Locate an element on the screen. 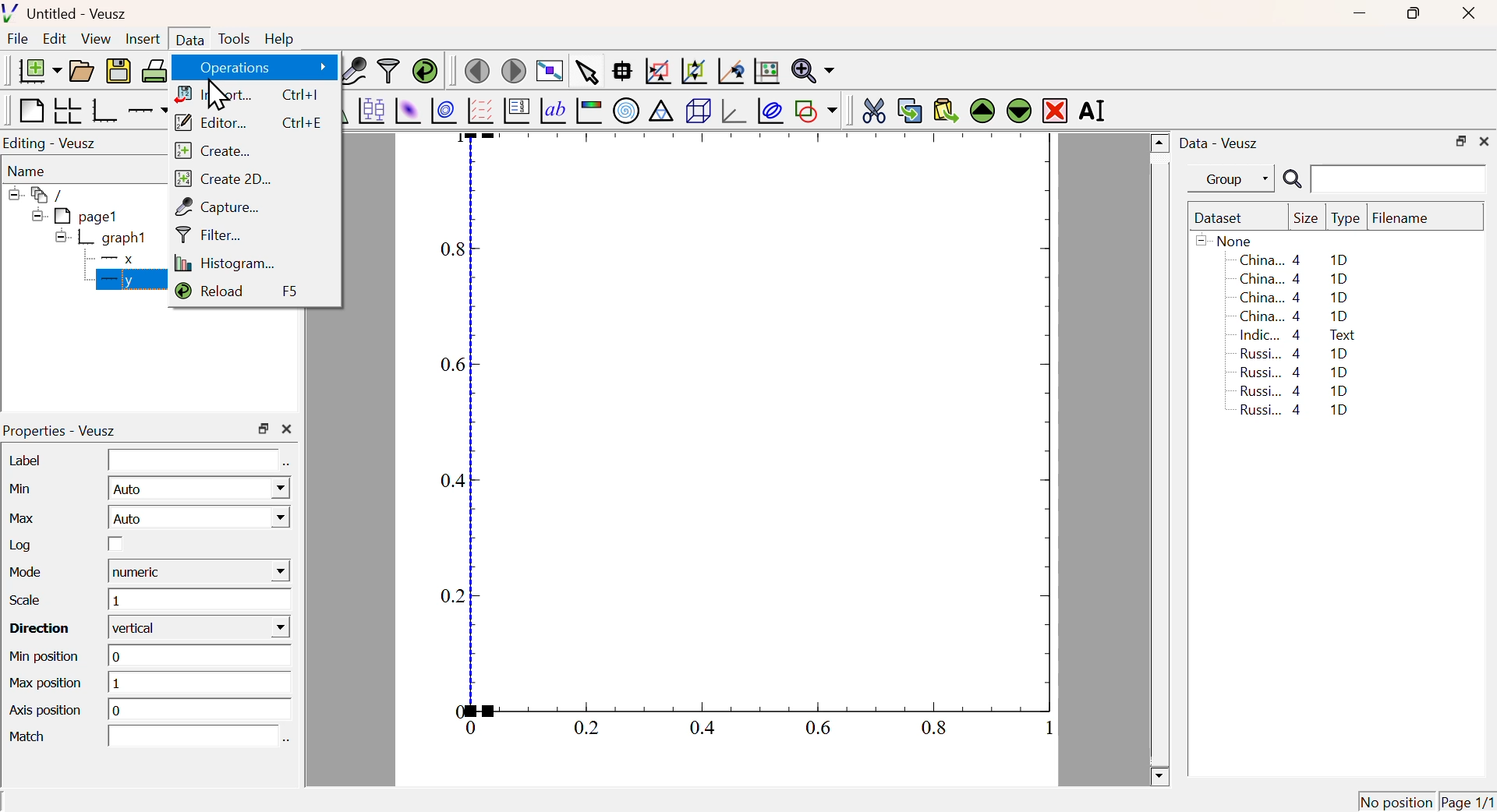 This screenshot has height=812, width=1497. Restore Down is located at coordinates (264, 429).